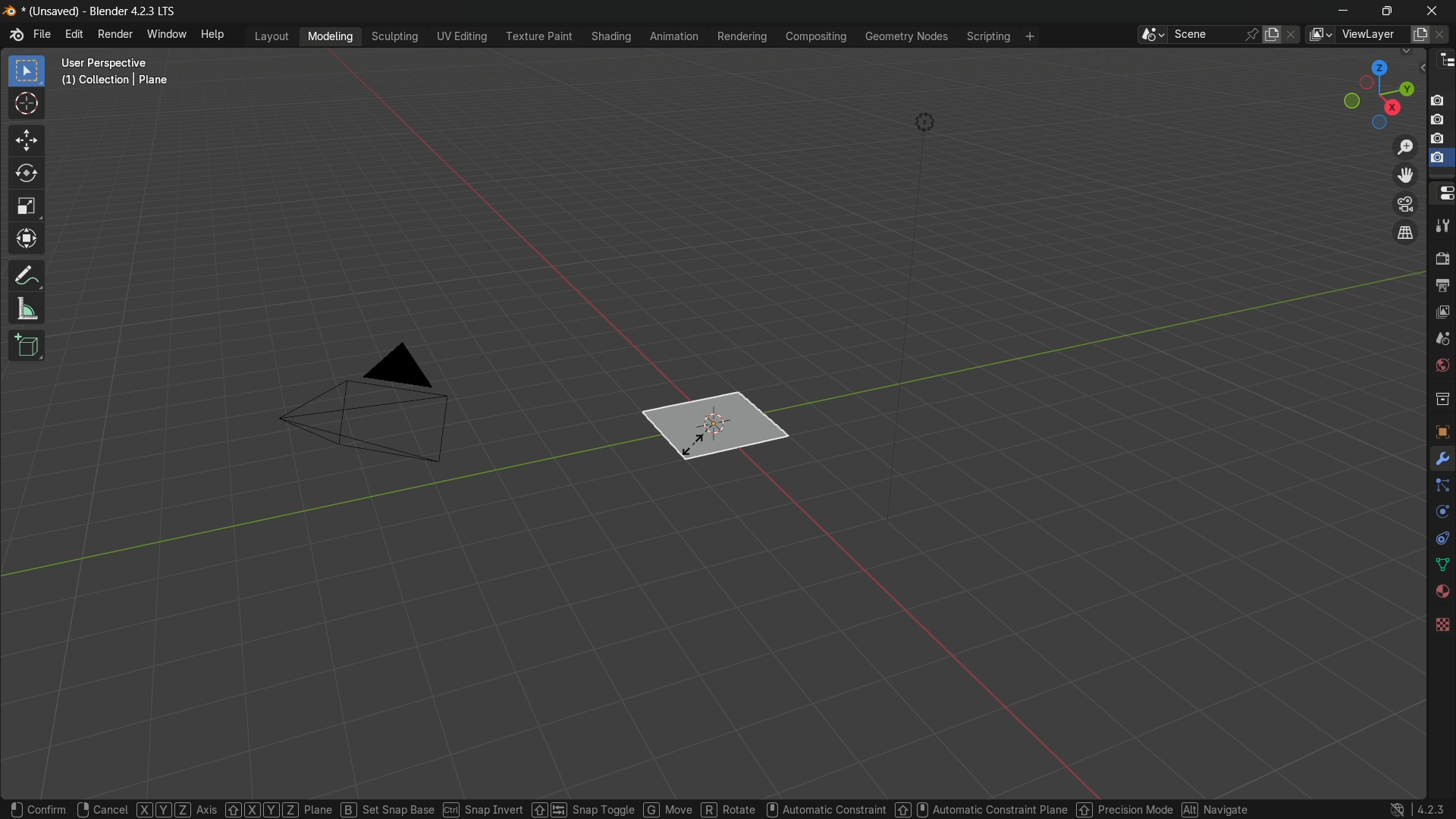  What do you see at coordinates (1418, 34) in the screenshot?
I see `add view layer` at bounding box center [1418, 34].